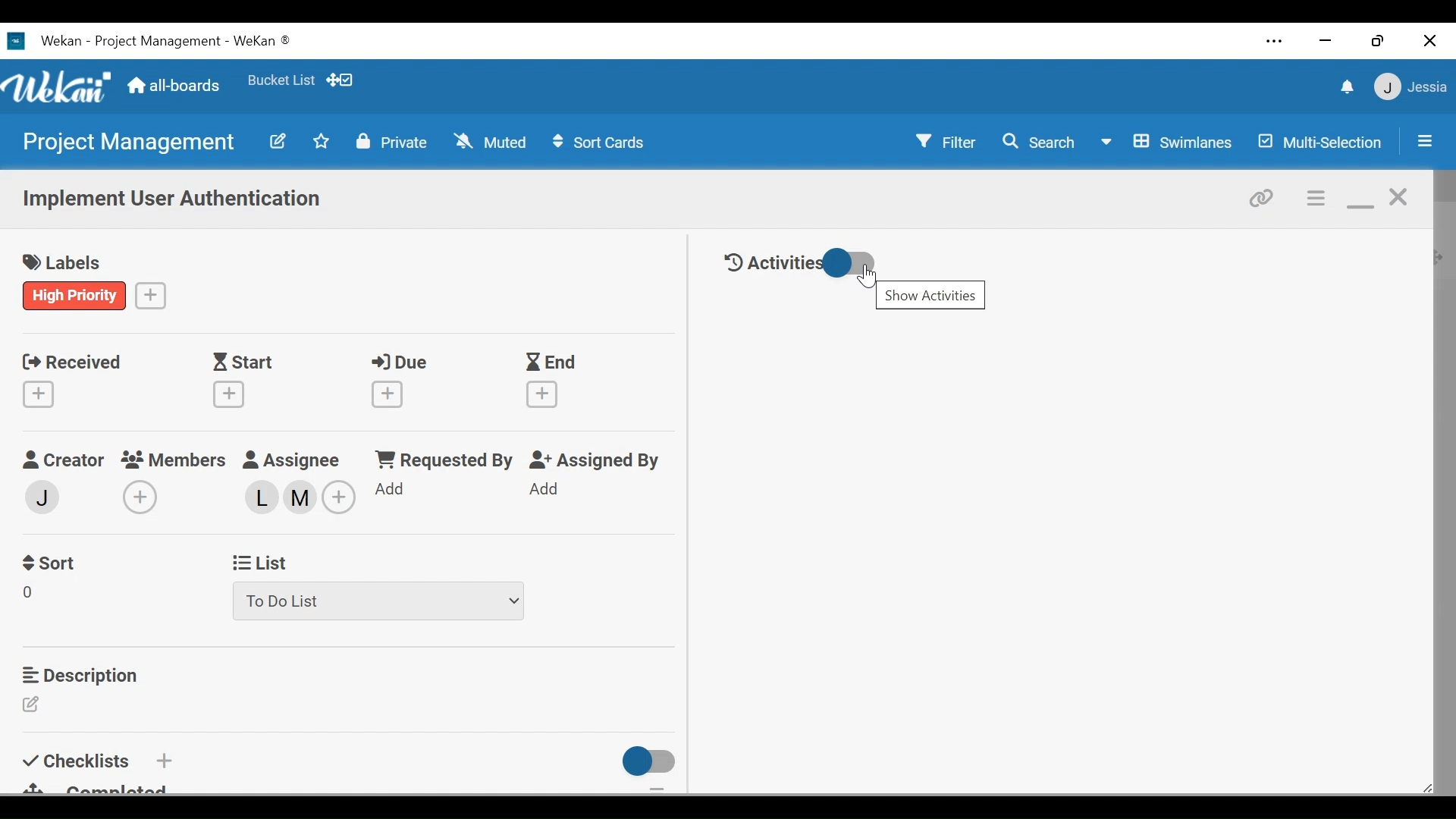  I want to click on Toggle checklist on, so click(650, 761).